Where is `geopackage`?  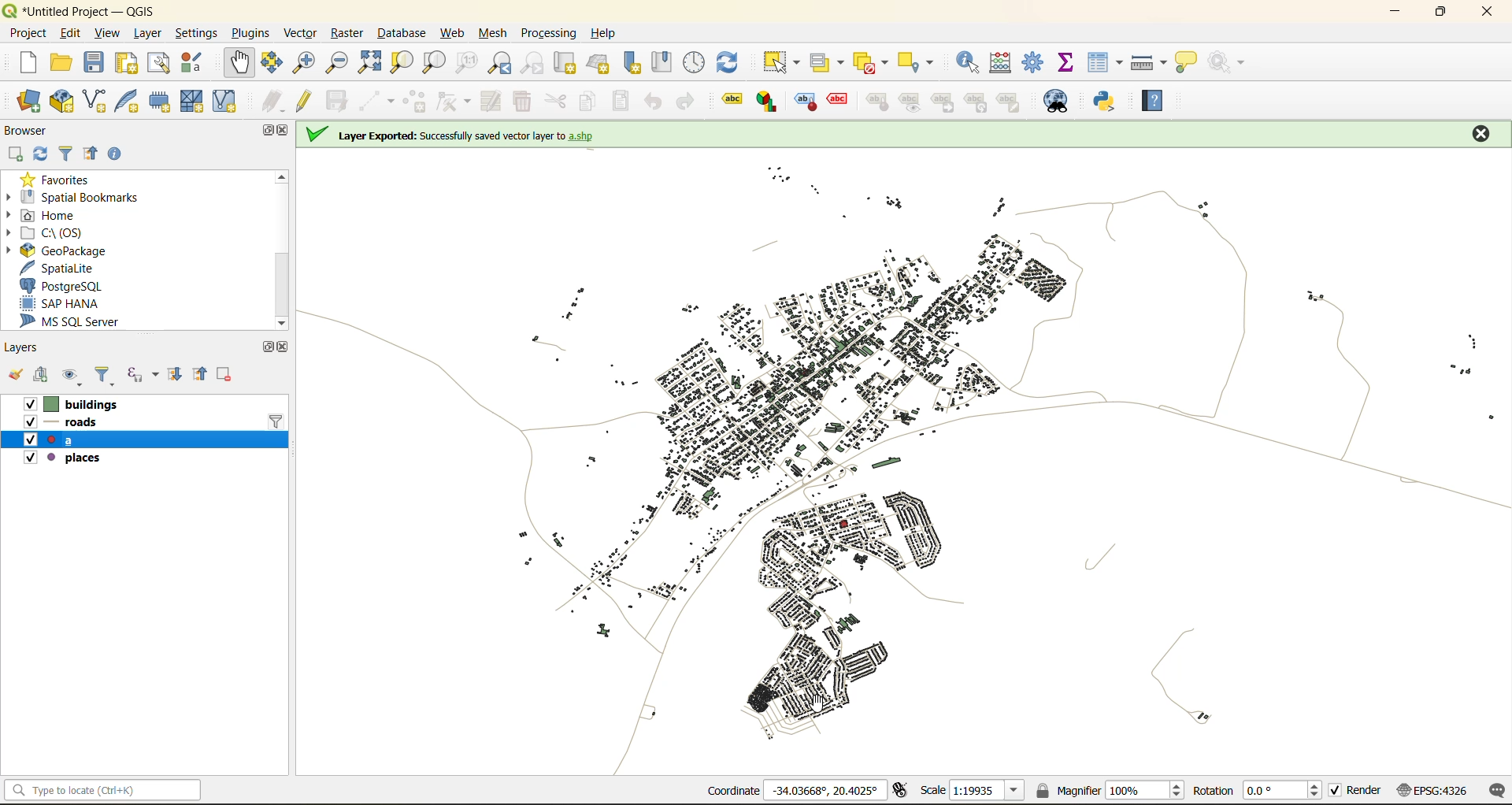 geopackage is located at coordinates (67, 252).